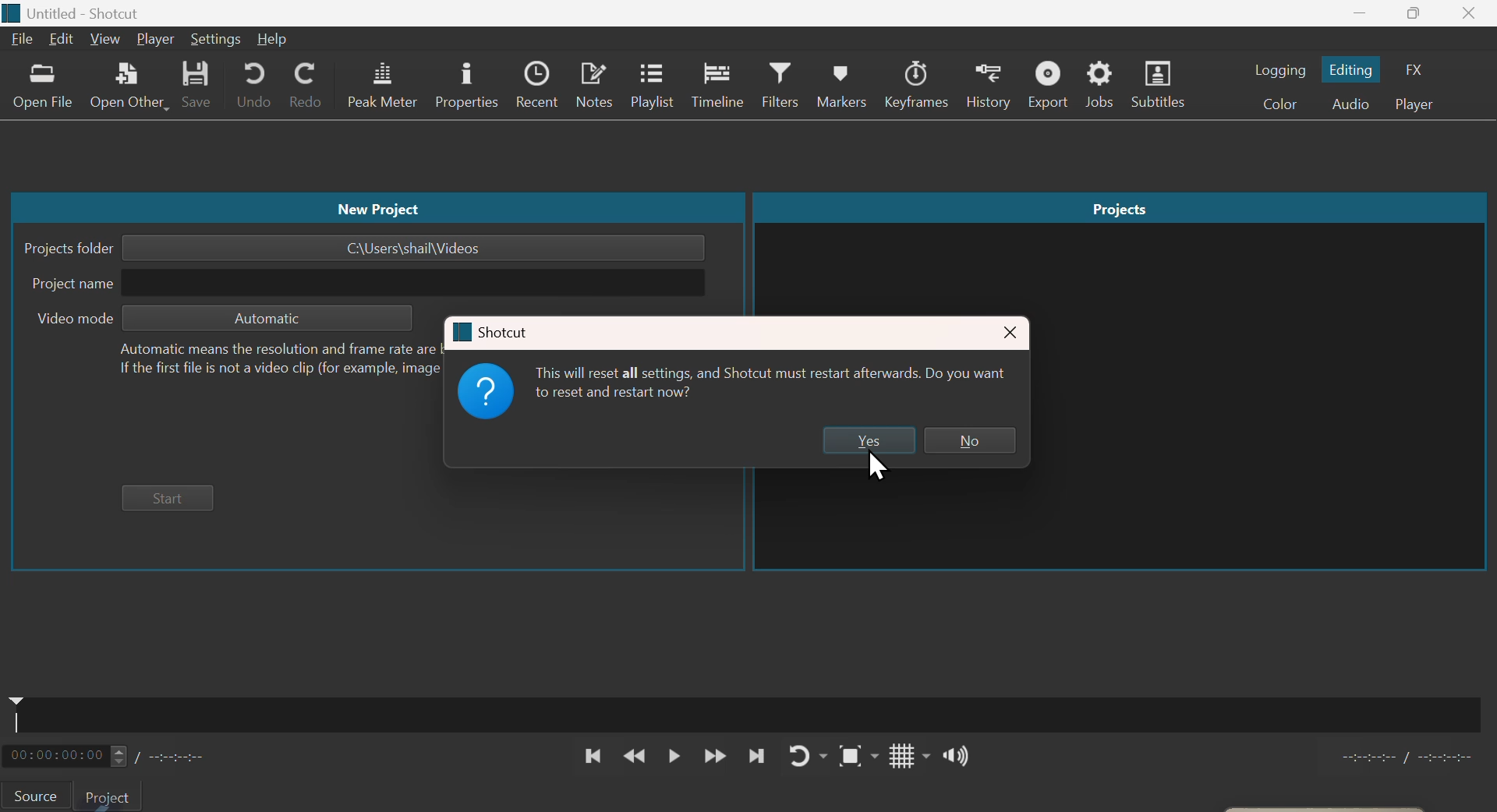 This screenshot has width=1497, height=812. Describe the element at coordinates (1007, 333) in the screenshot. I see `close` at that location.